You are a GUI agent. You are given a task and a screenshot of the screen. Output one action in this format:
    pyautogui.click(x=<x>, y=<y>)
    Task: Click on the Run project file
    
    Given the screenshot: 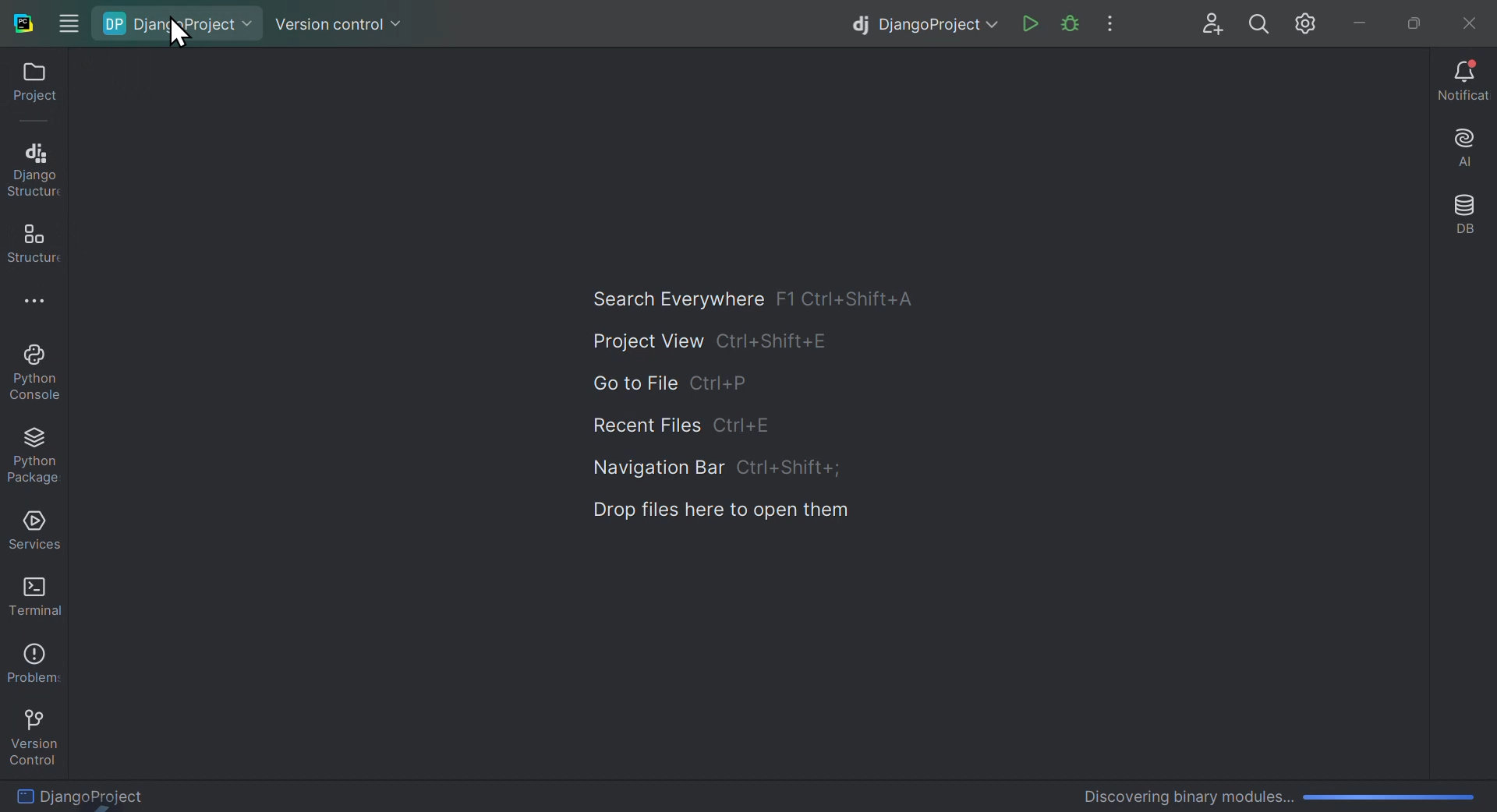 What is the action you would take?
    pyautogui.click(x=1069, y=24)
    